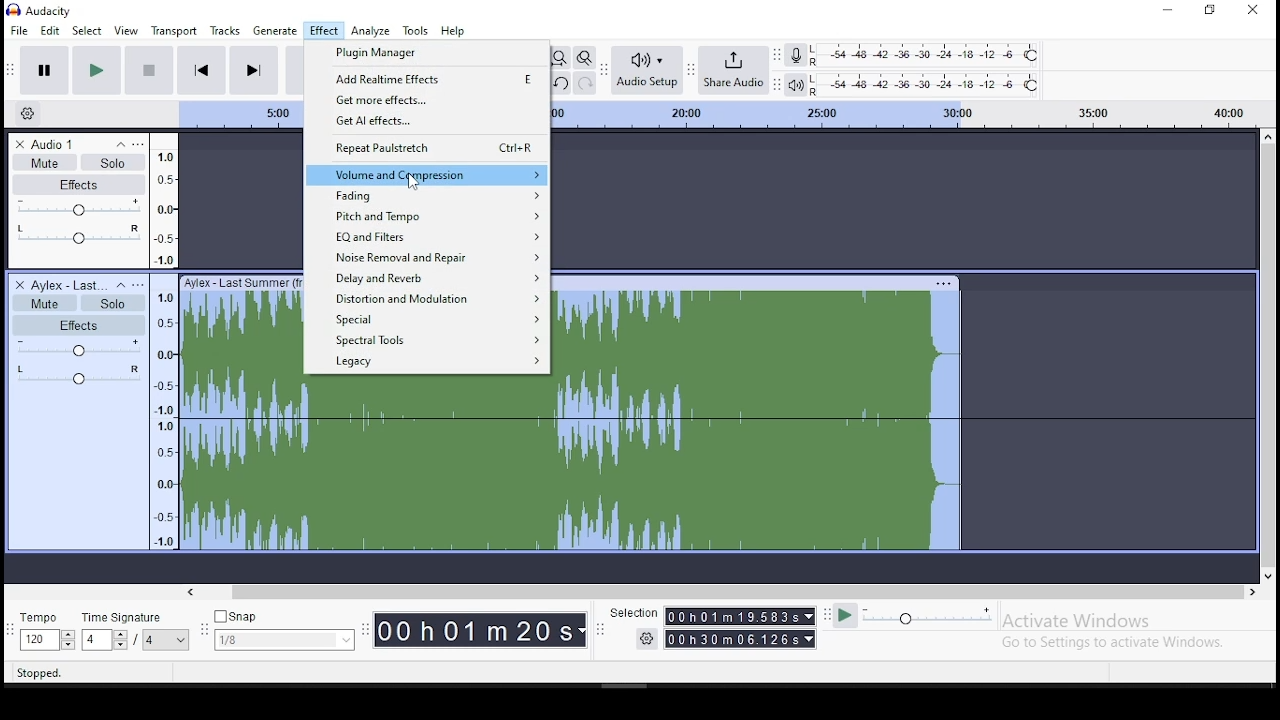 Image resolution: width=1280 pixels, height=720 pixels. Describe the element at coordinates (139, 142) in the screenshot. I see `open menu` at that location.